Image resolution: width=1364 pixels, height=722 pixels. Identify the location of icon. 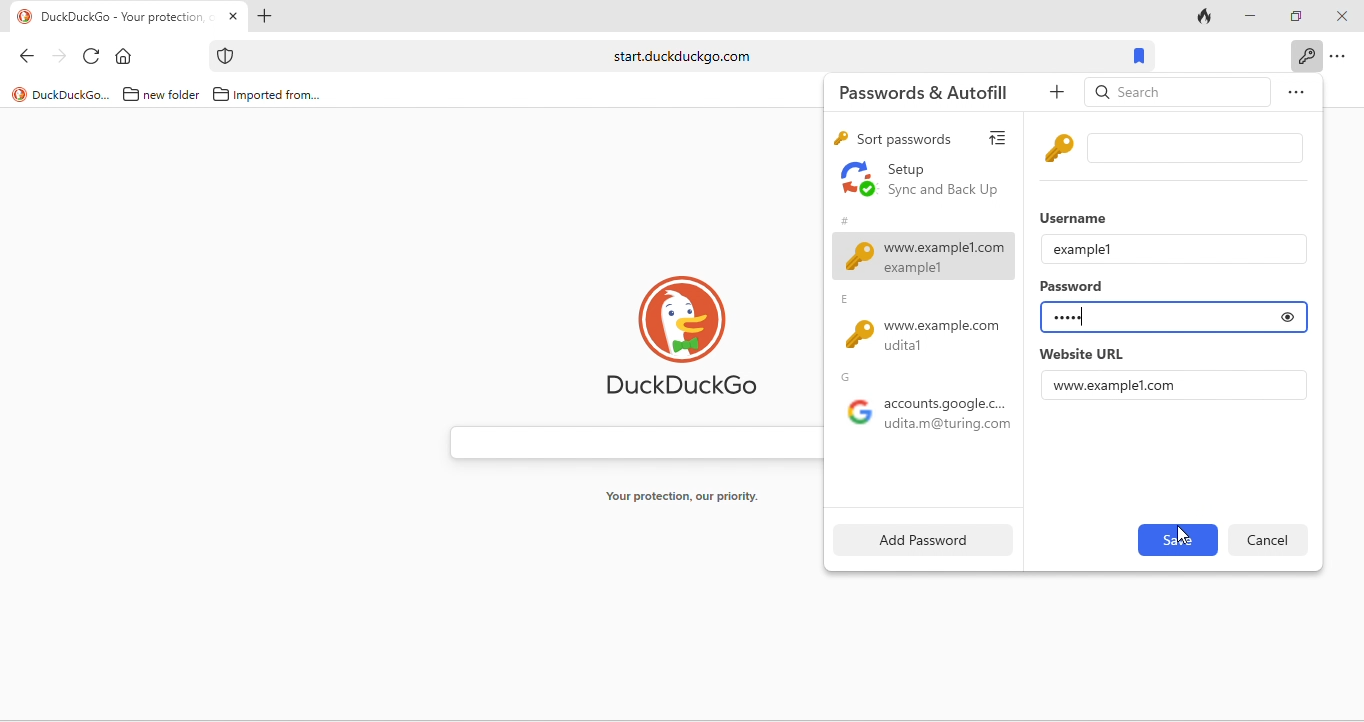
(227, 56).